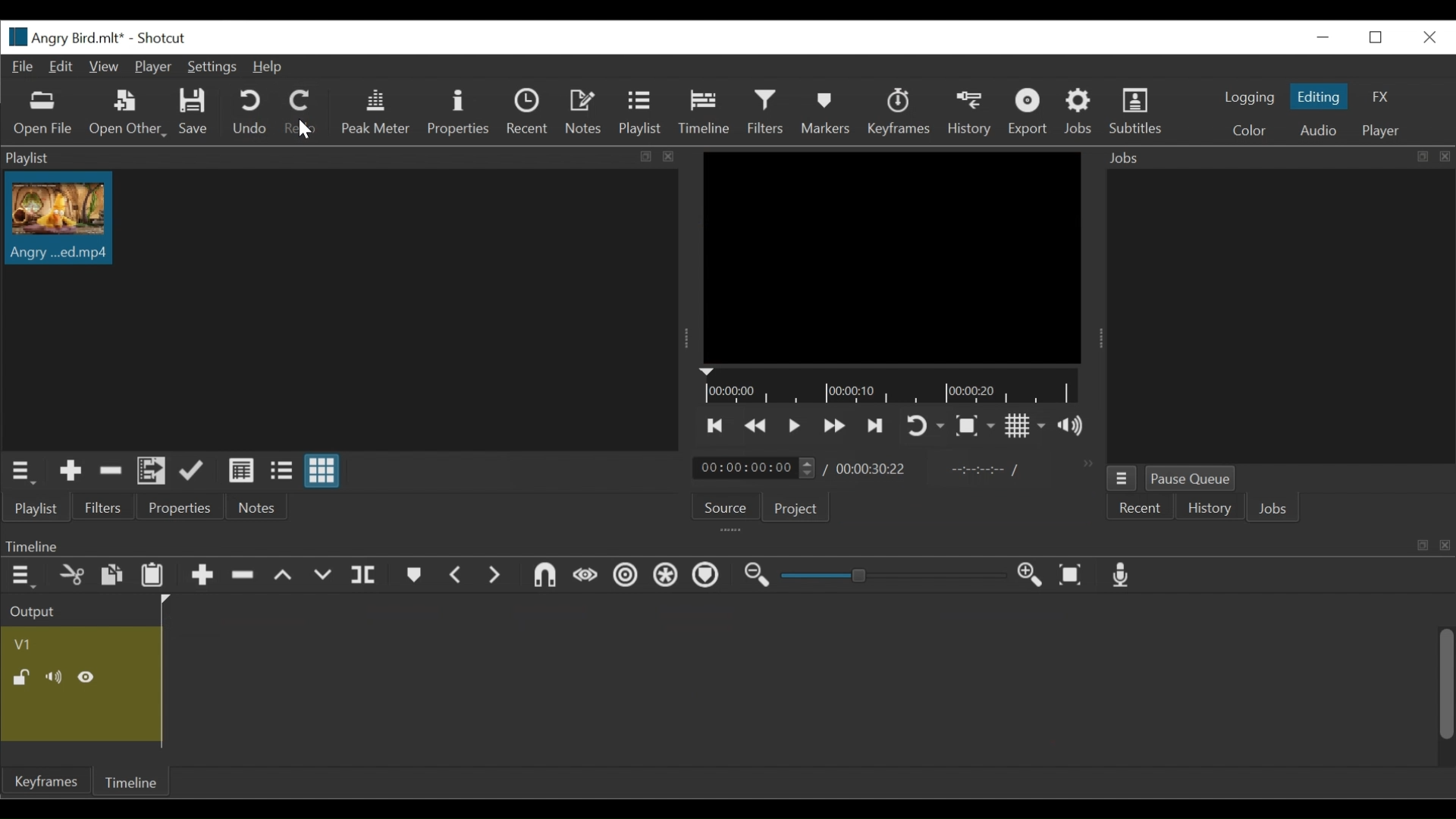 This screenshot has height=819, width=1456. What do you see at coordinates (22, 67) in the screenshot?
I see `File` at bounding box center [22, 67].